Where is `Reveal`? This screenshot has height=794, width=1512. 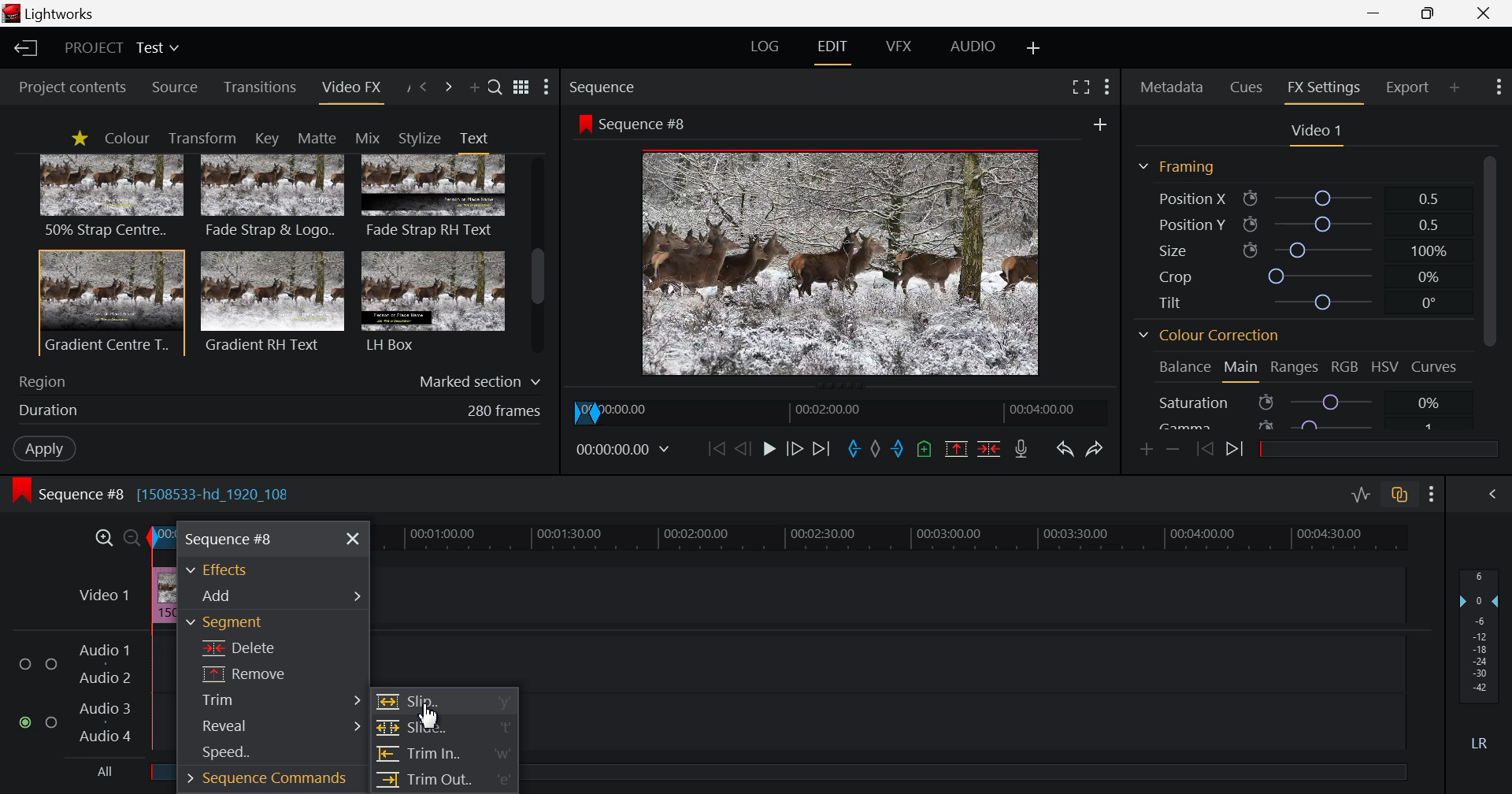 Reveal is located at coordinates (270, 728).